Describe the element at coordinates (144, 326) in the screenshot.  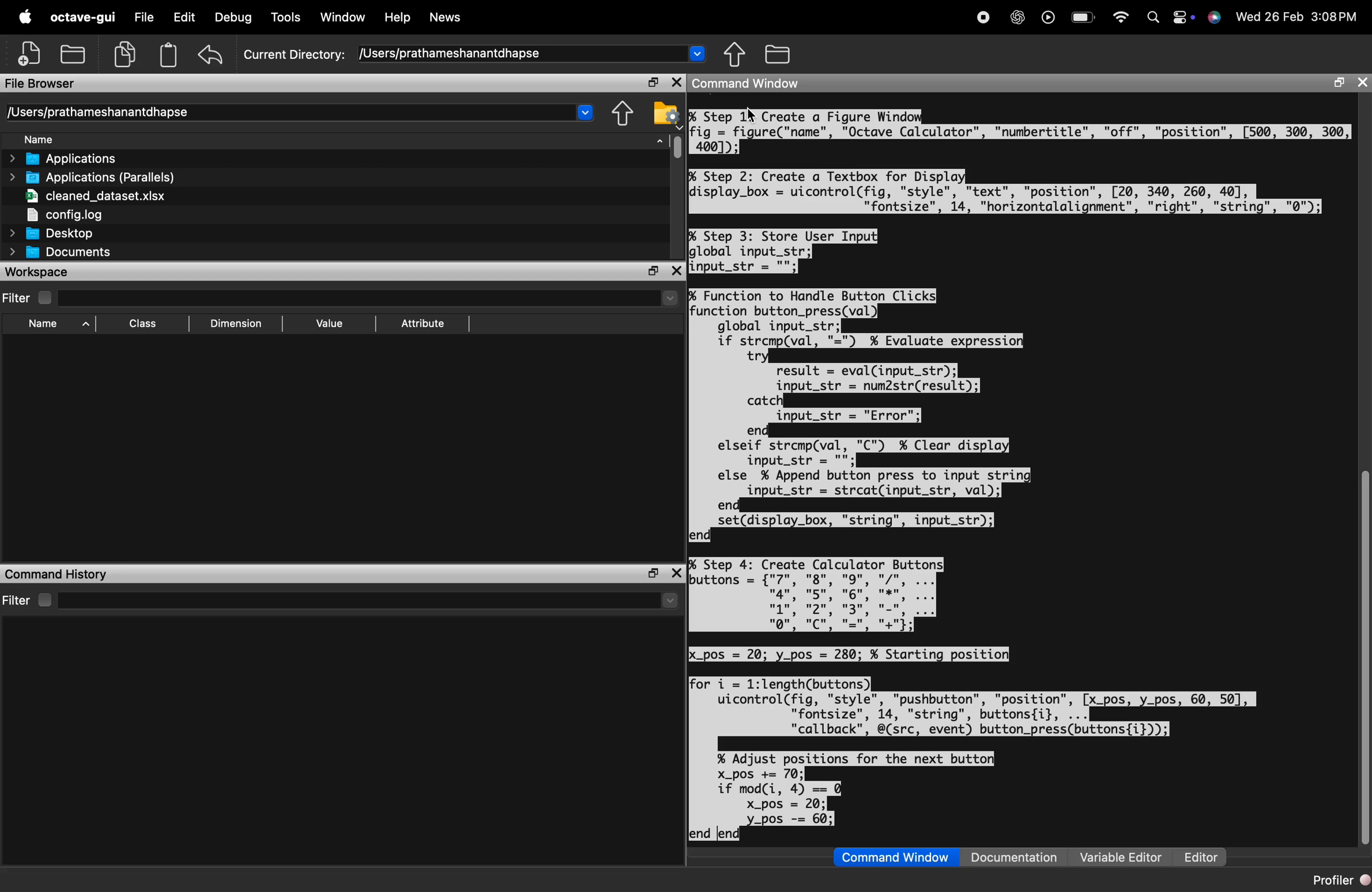
I see `Class` at that location.